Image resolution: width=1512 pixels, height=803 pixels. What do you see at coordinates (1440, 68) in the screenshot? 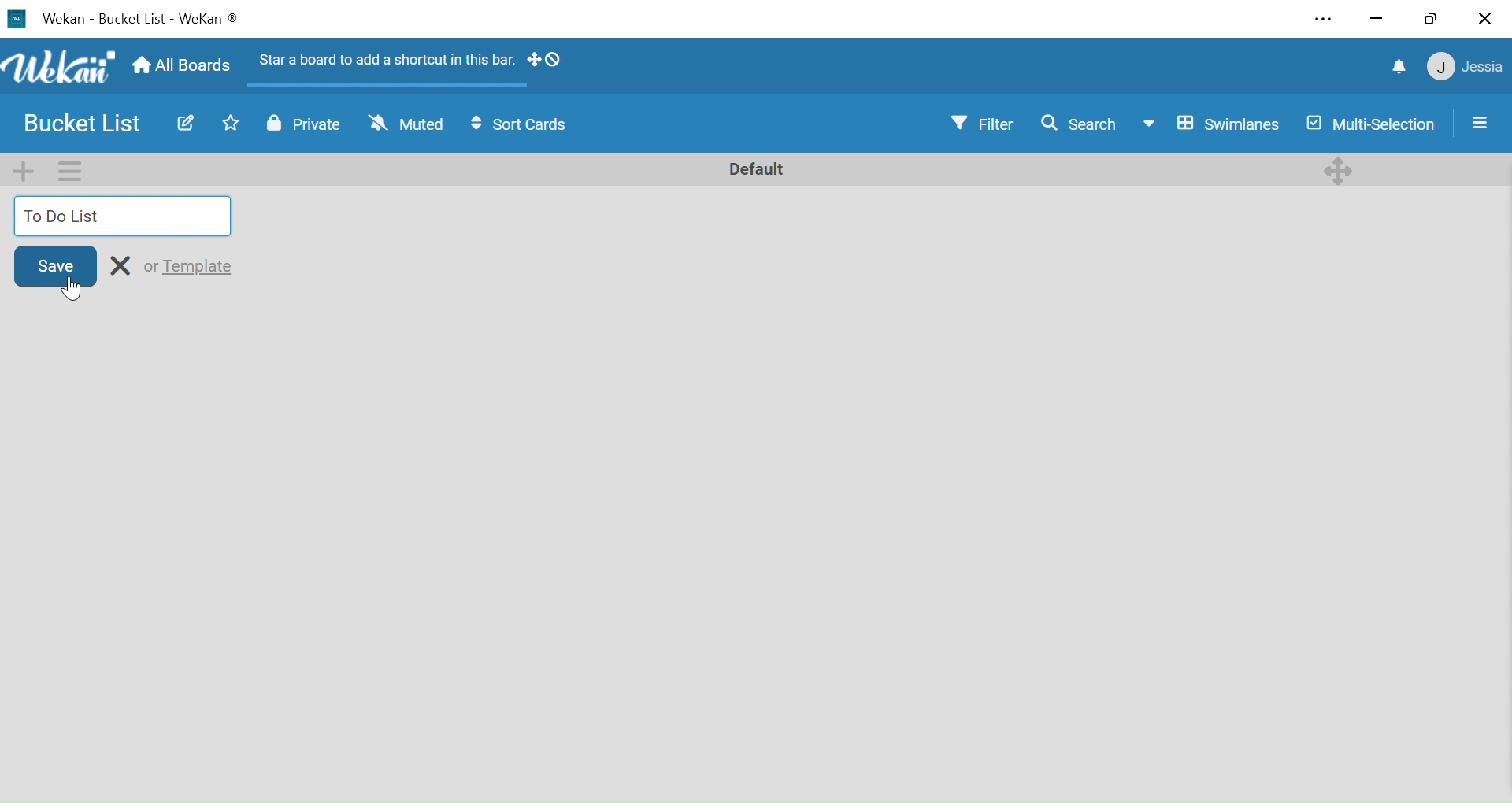
I see `Avatar` at bounding box center [1440, 68].